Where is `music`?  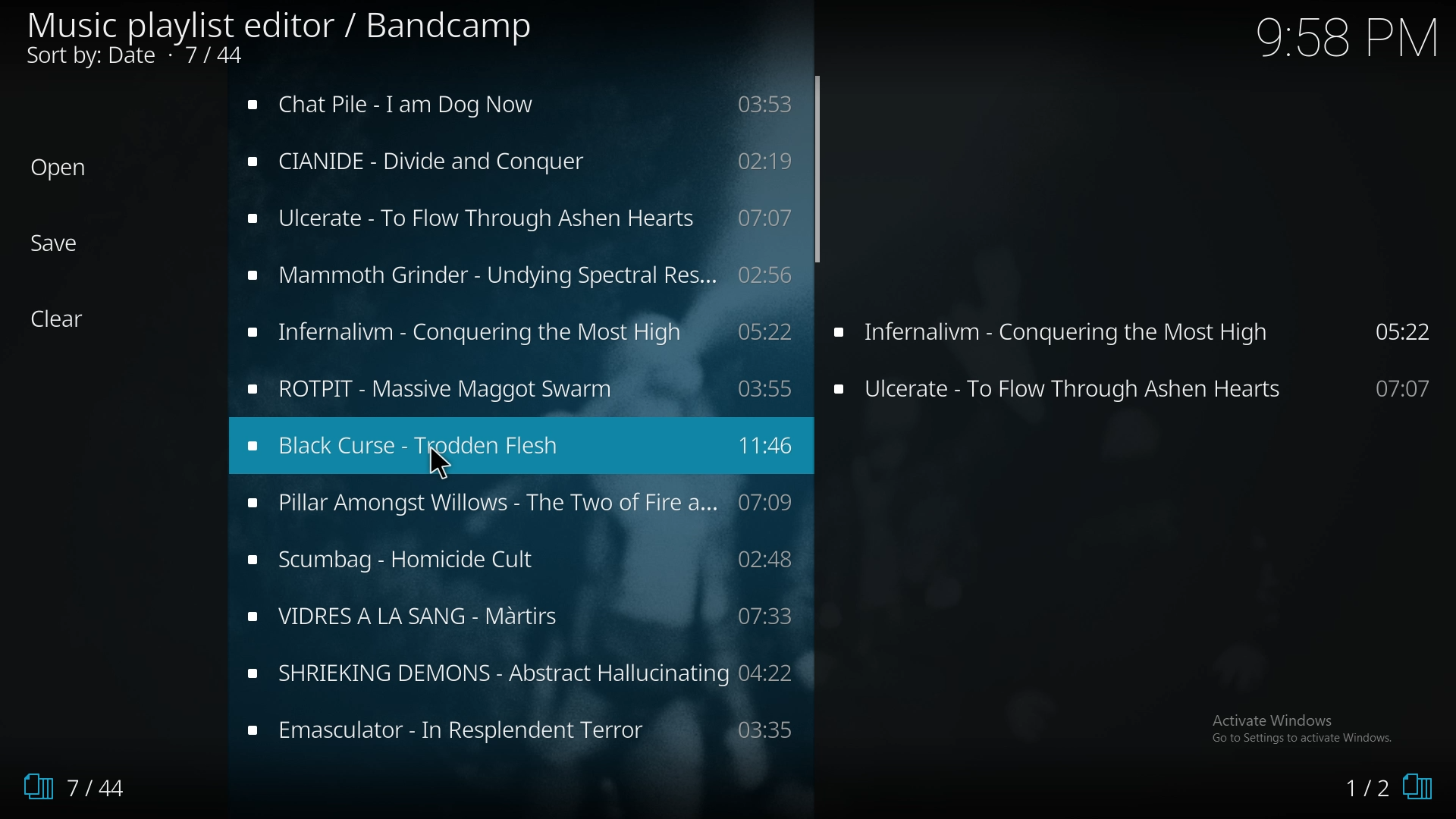
music is located at coordinates (519, 274).